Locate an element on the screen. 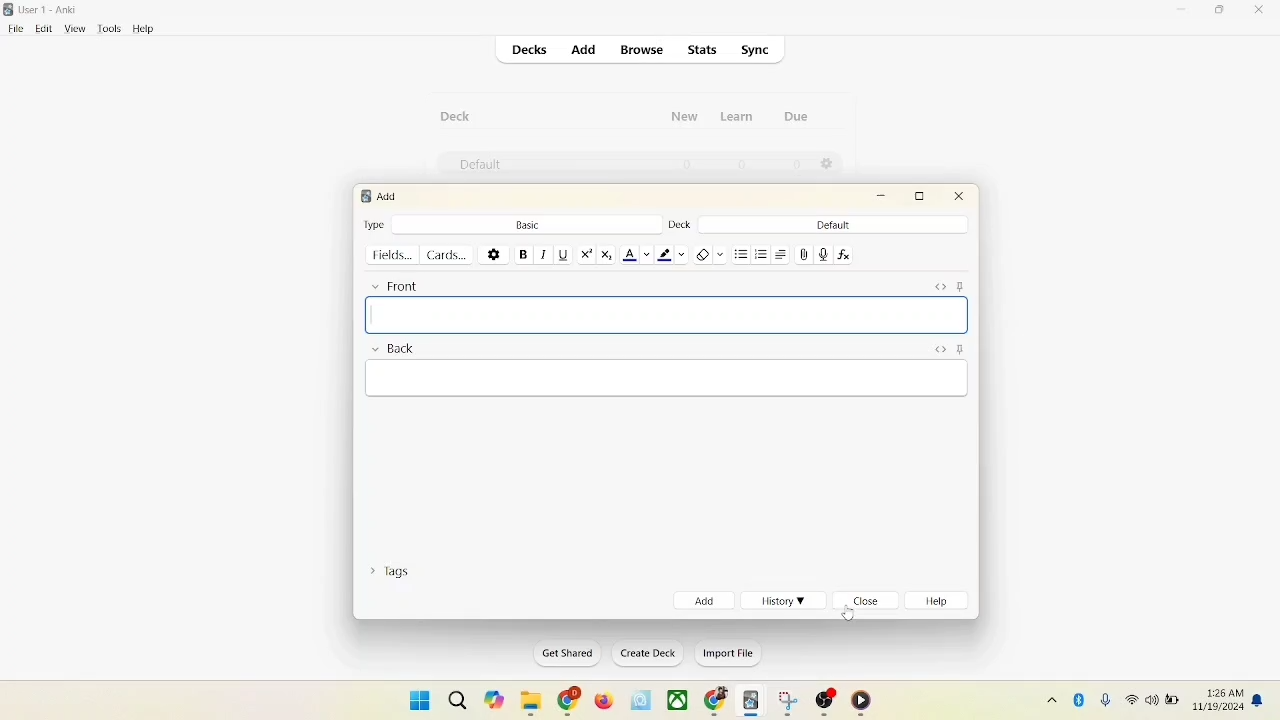 The height and width of the screenshot is (720, 1280). window is located at coordinates (412, 699).